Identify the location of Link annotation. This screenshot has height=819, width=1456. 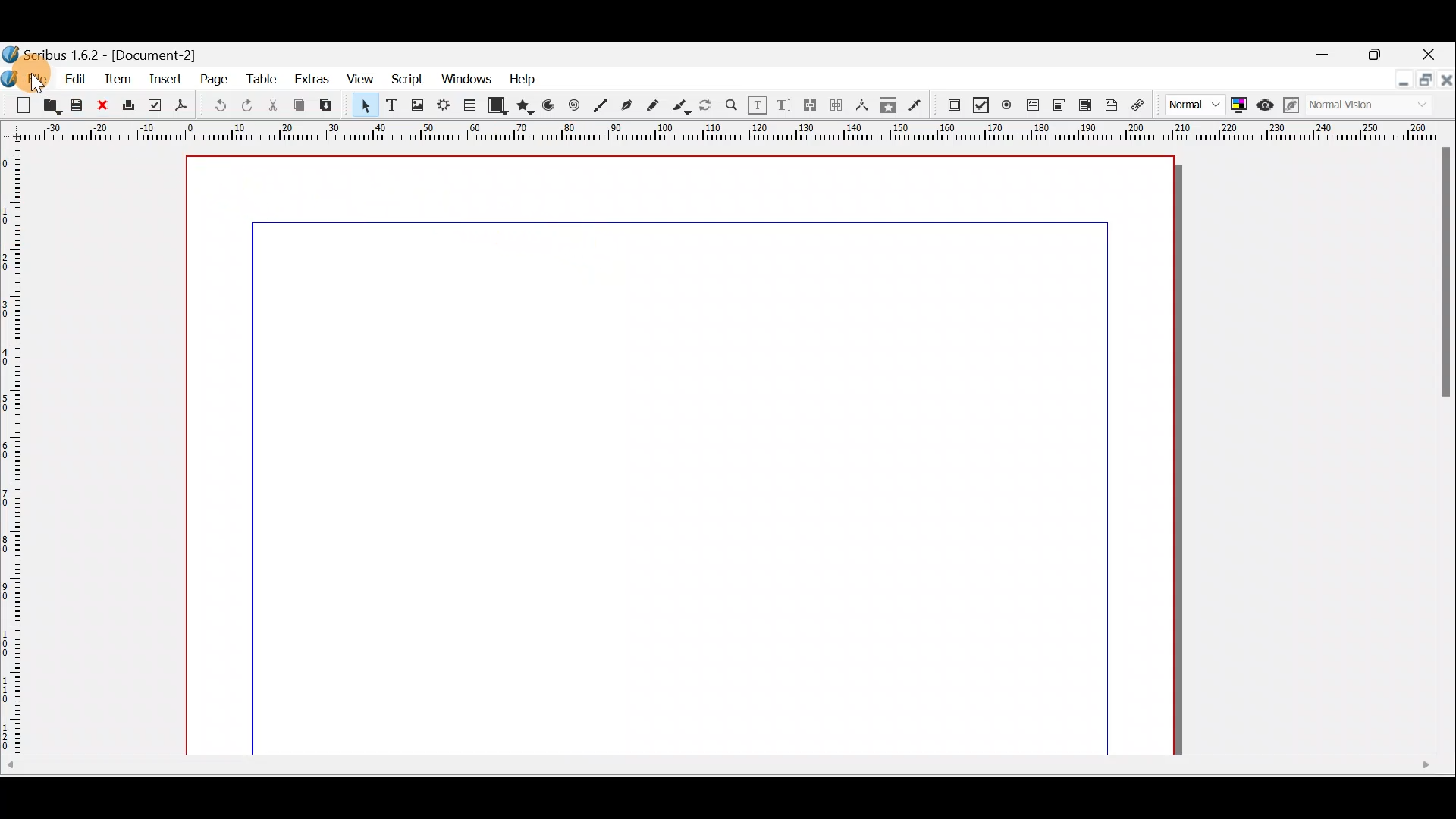
(1137, 106).